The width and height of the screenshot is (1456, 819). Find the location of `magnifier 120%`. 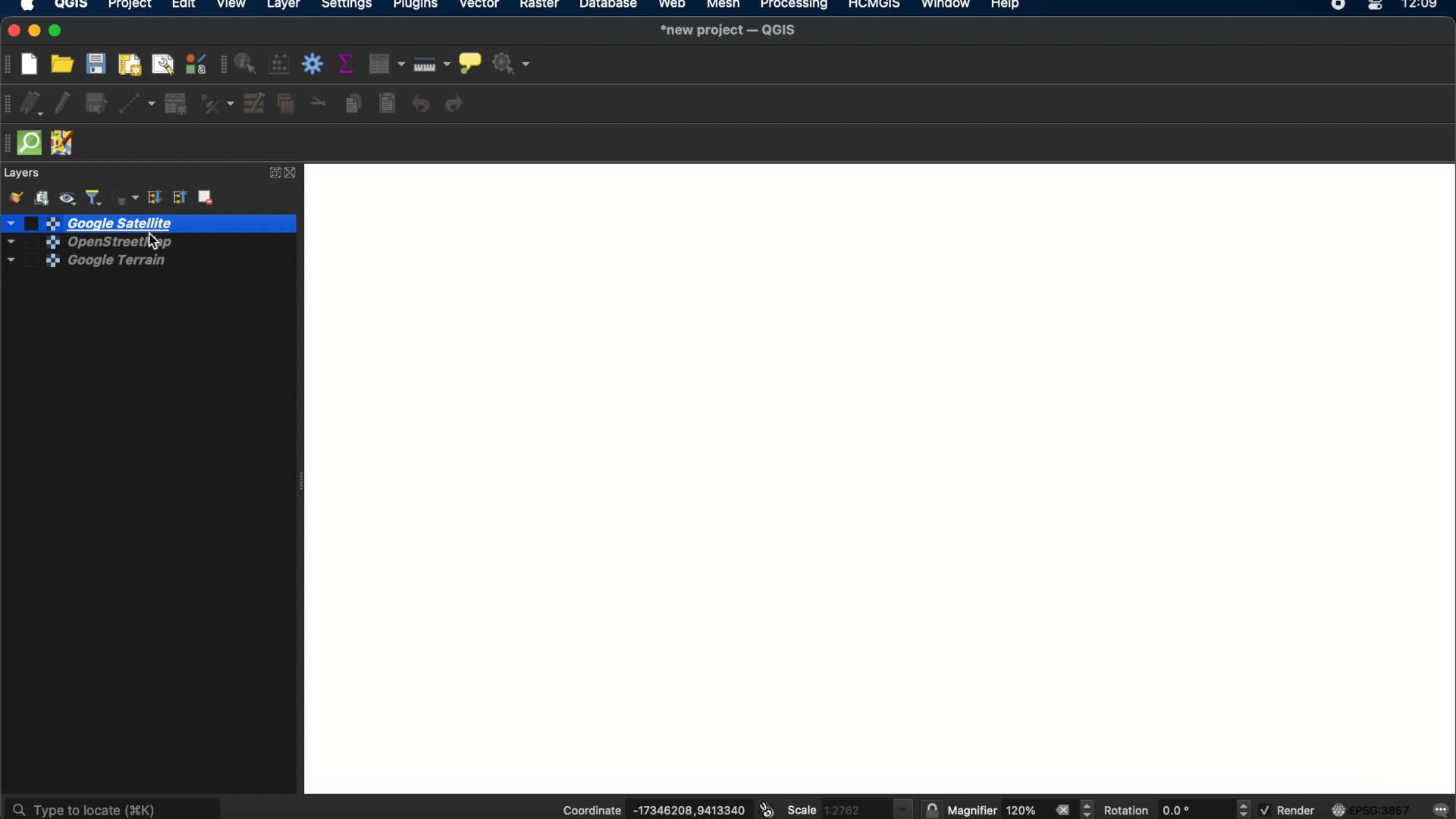

magnifier 120% is located at coordinates (996, 811).